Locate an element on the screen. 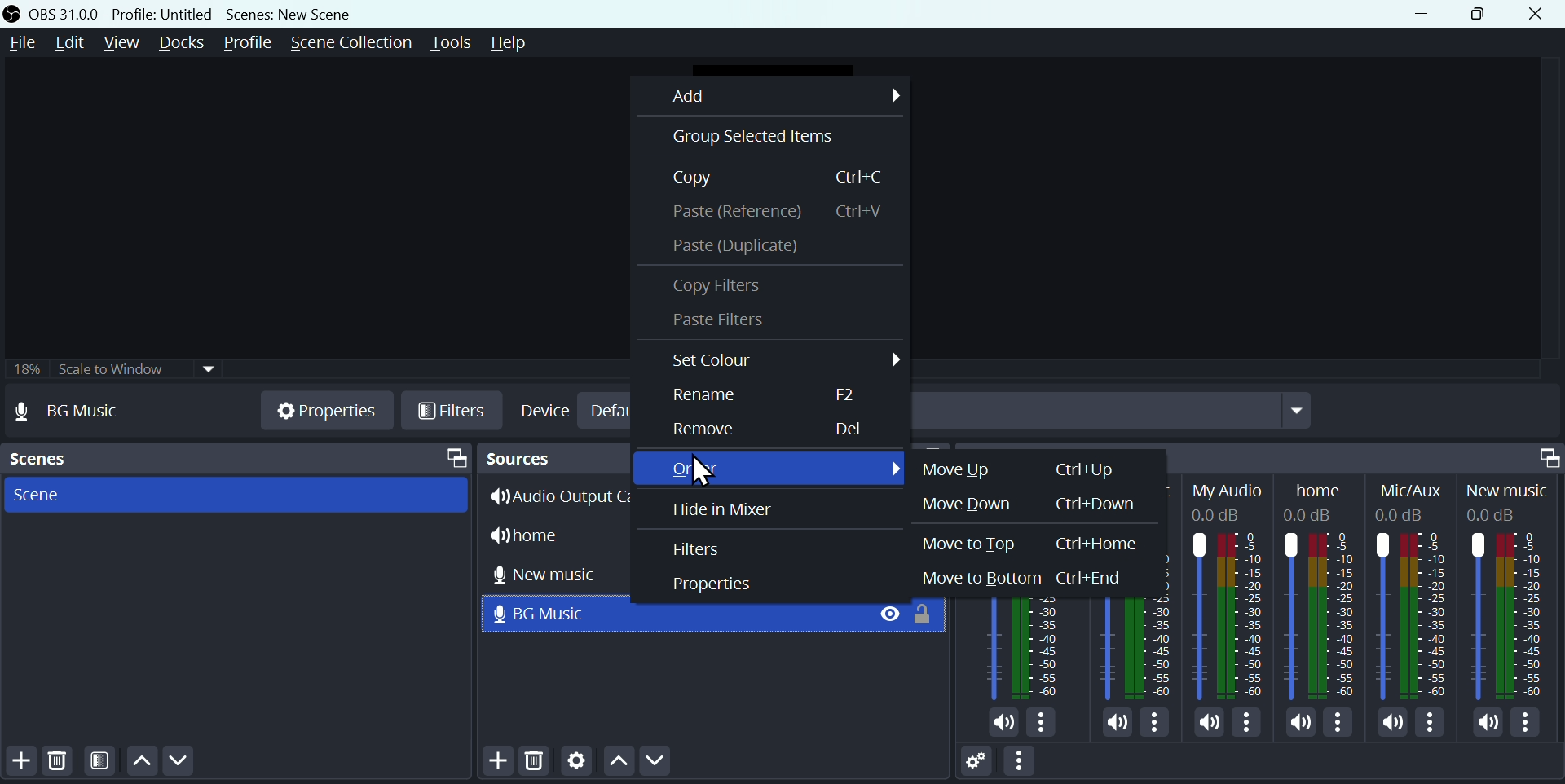 Image resolution: width=1565 pixels, height=784 pixels. Mute/unmute is located at coordinates (1391, 722).